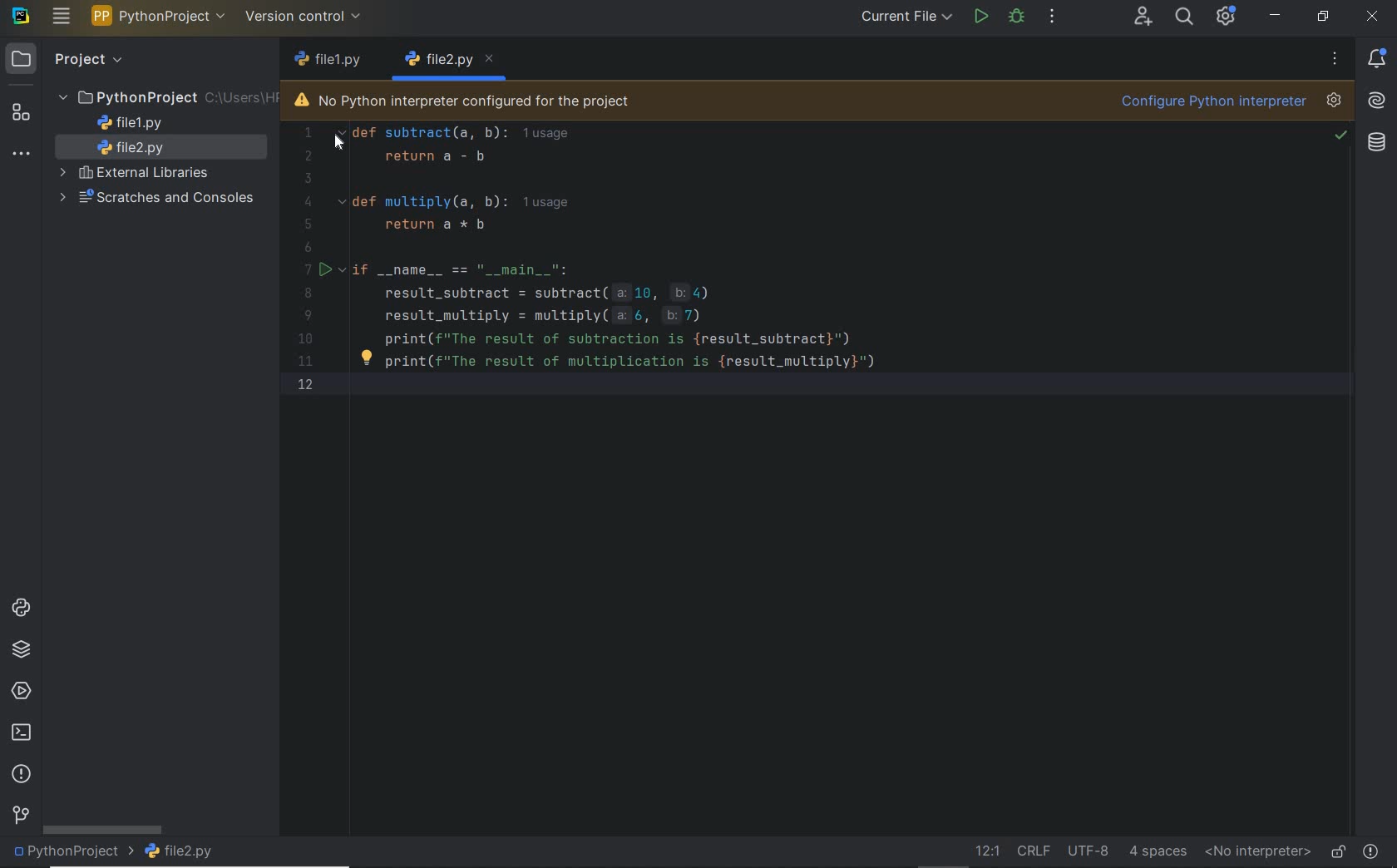 The width and height of the screenshot is (1397, 868). Describe the element at coordinates (327, 268) in the screenshot. I see `run` at that location.